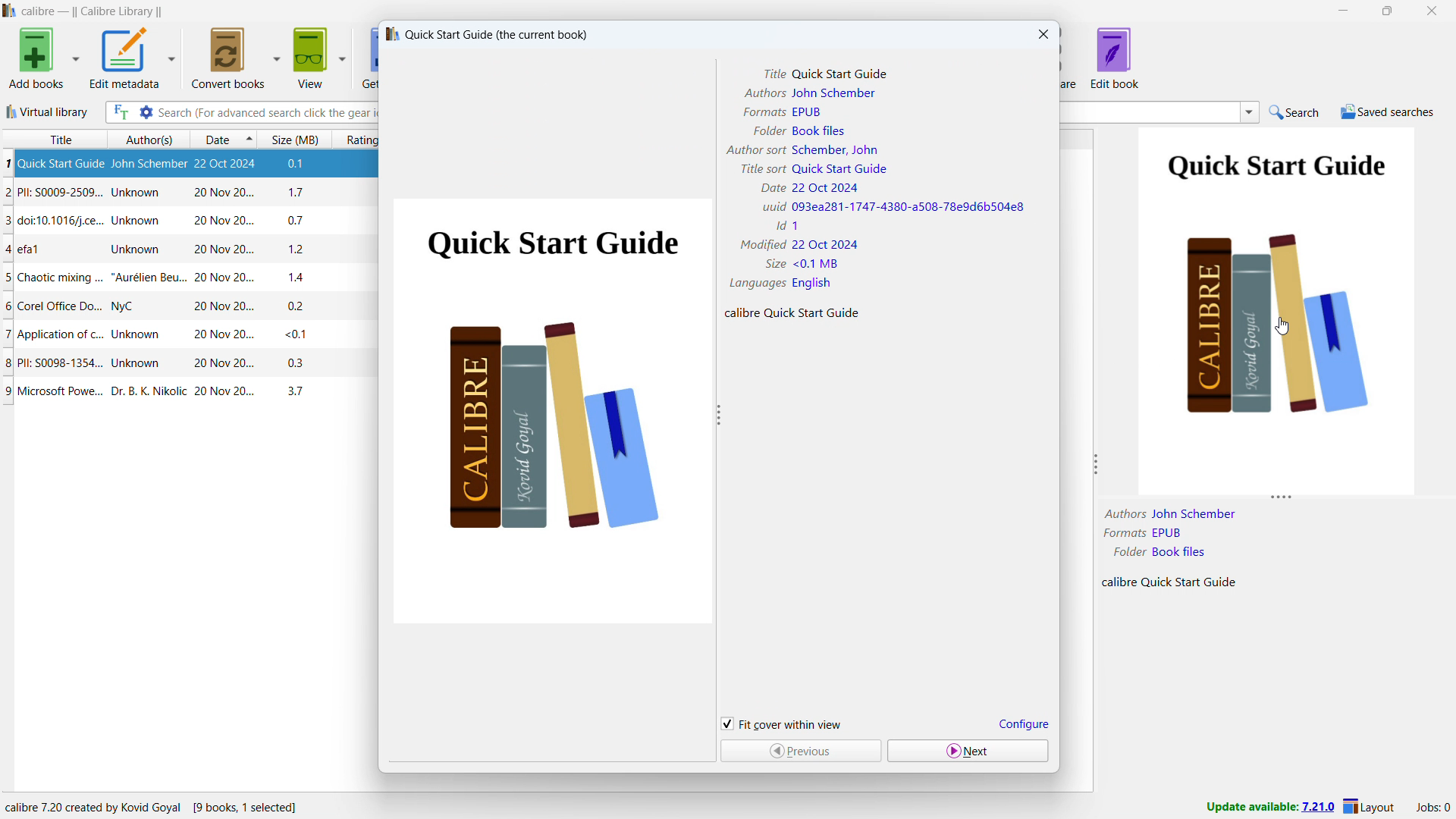 This screenshot has width=1456, height=819. I want to click on Calibre, so click(1119, 582).